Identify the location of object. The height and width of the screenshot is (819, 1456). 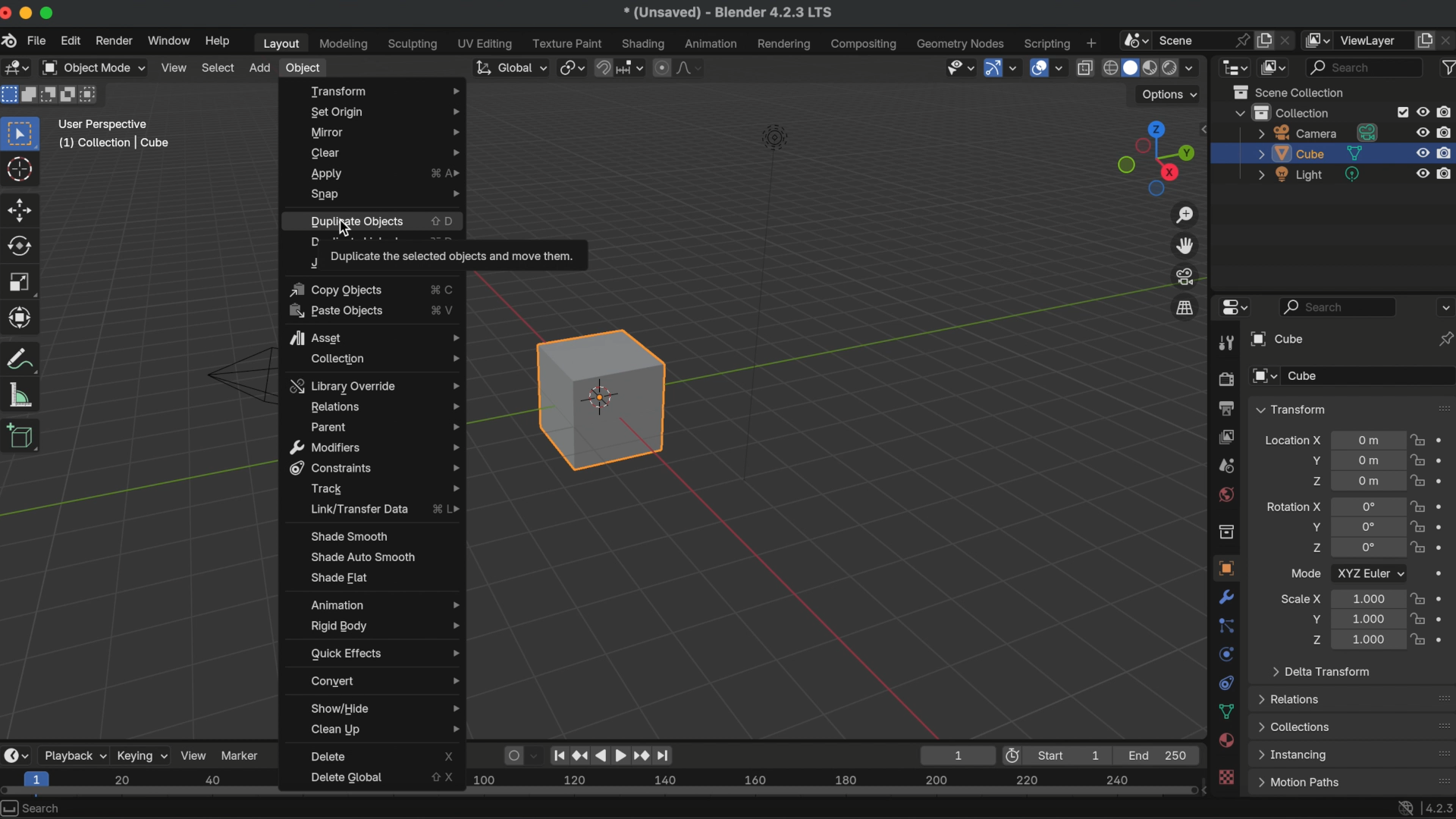
(305, 69).